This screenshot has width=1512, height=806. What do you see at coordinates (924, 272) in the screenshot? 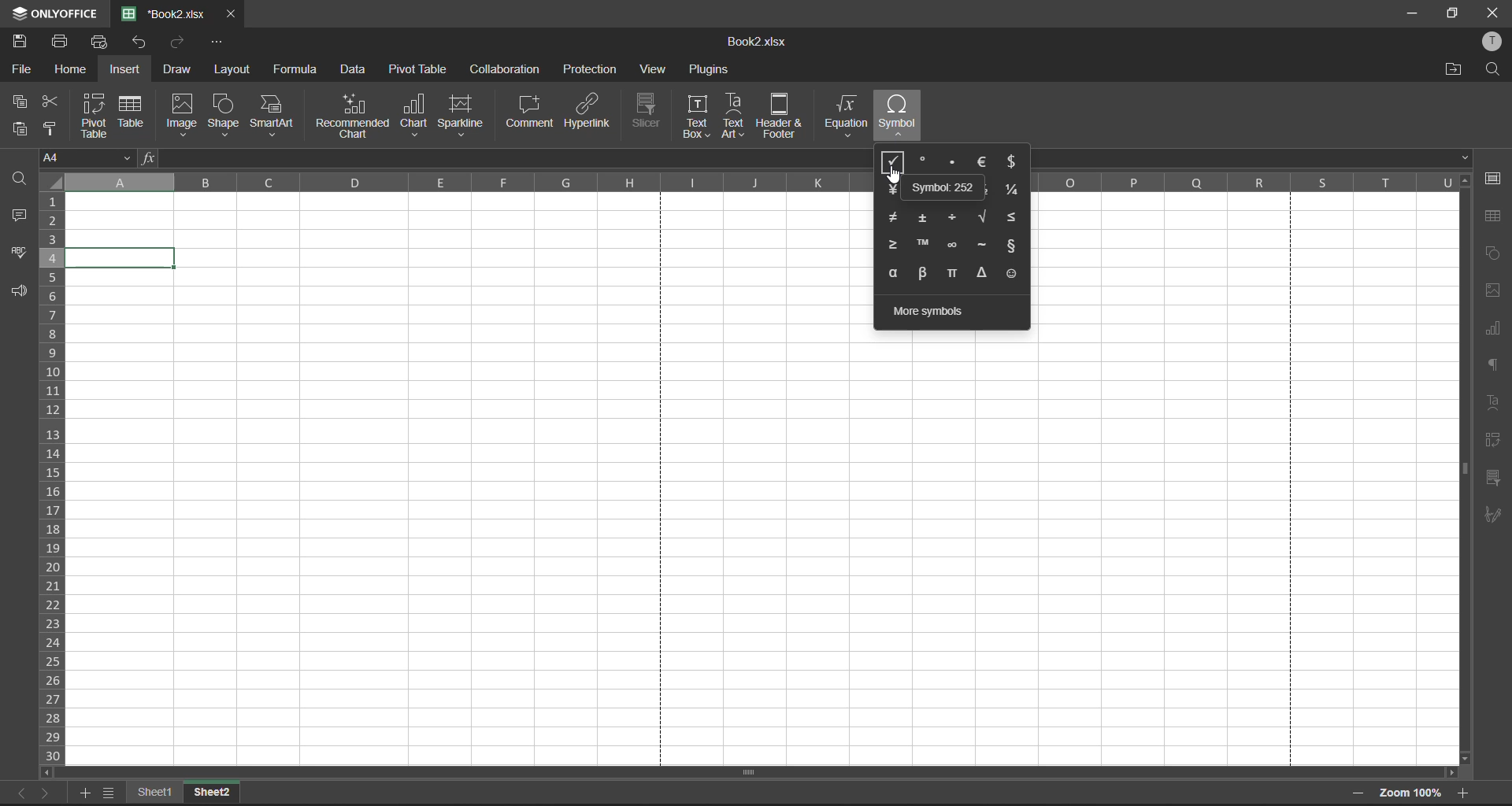
I see `beta` at bounding box center [924, 272].